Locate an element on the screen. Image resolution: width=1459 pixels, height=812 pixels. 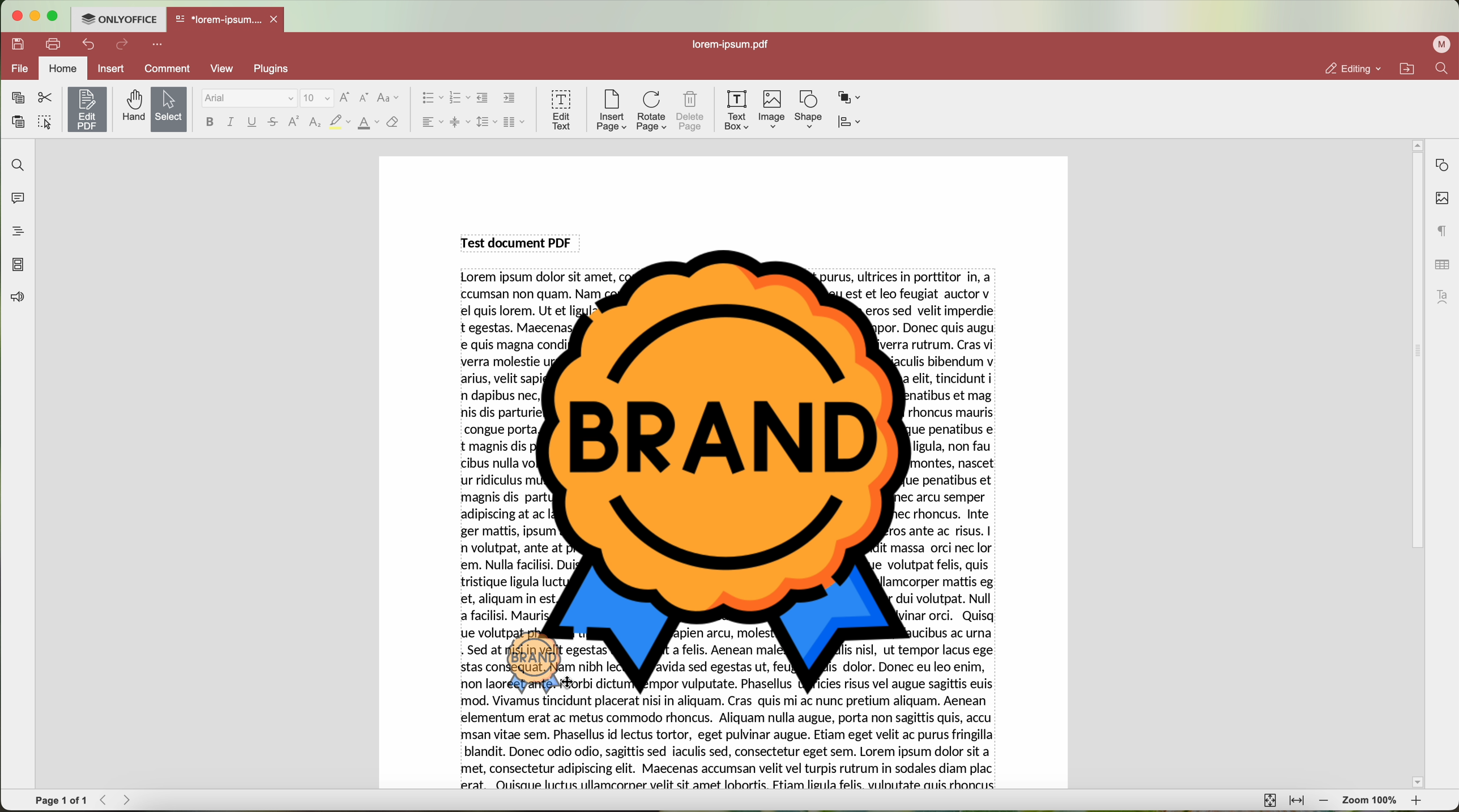
maximize is located at coordinates (54, 16).